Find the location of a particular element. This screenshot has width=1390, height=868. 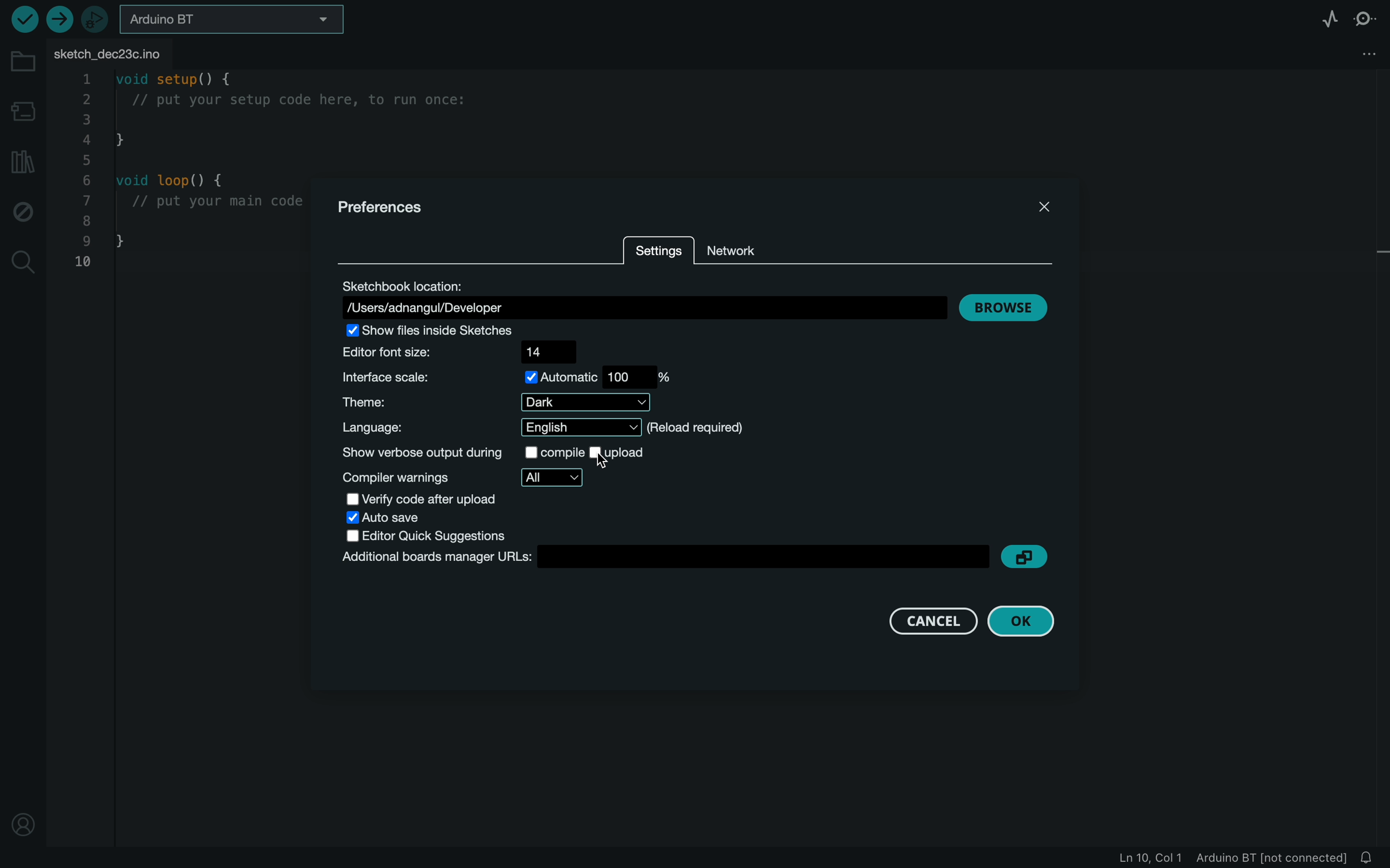

cancel is located at coordinates (936, 621).